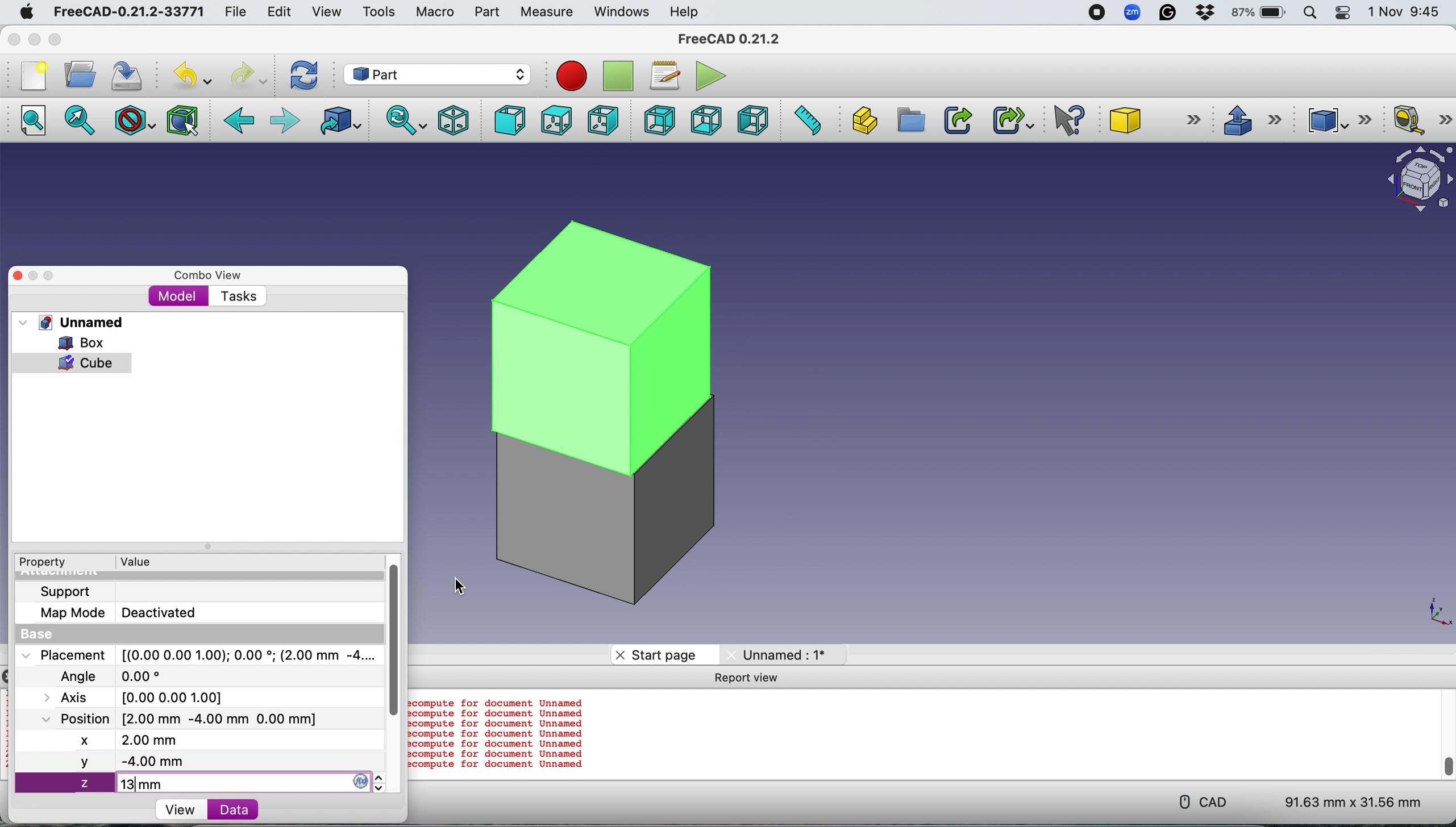  Describe the element at coordinates (1345, 13) in the screenshot. I see `Control center` at that location.